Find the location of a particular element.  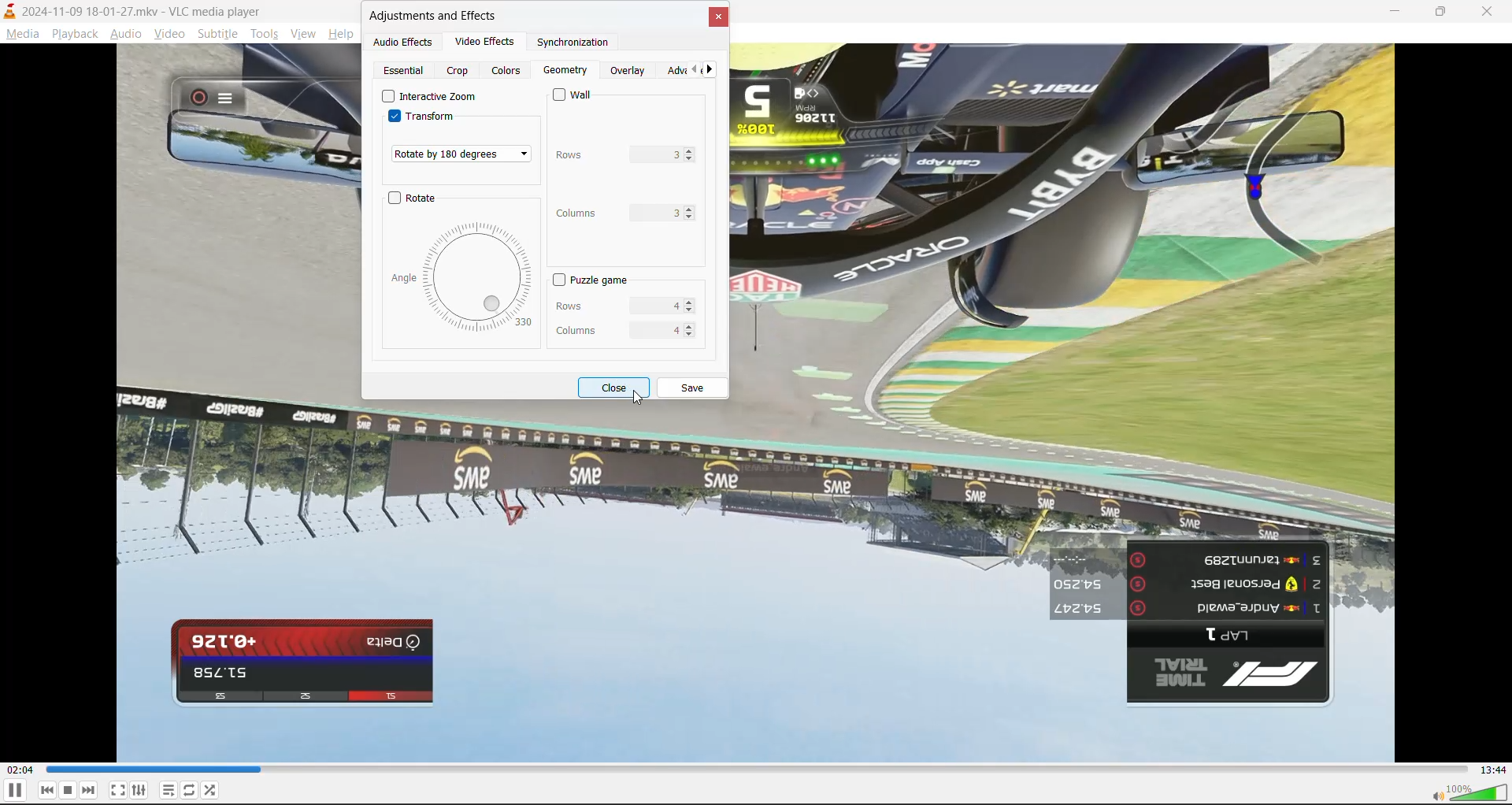

rows is located at coordinates (611, 154).